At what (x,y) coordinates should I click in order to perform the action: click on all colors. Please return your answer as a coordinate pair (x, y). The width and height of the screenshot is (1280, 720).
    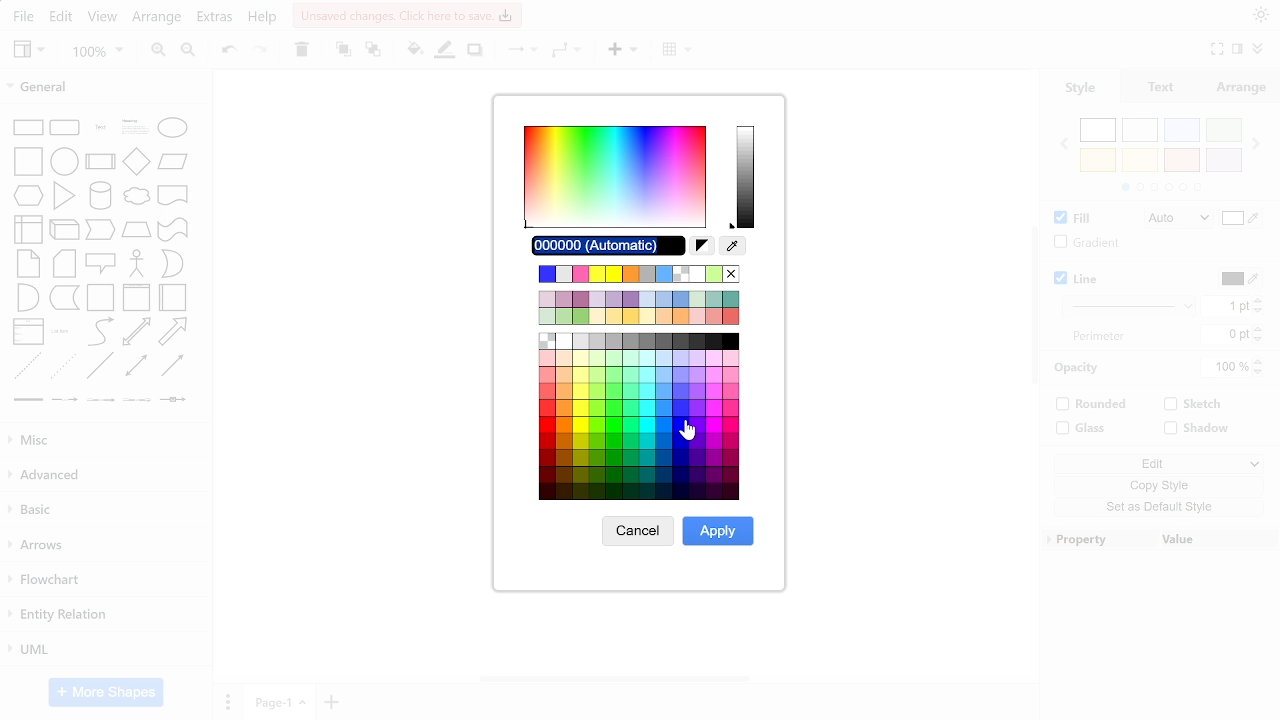
    Looking at the image, I should click on (637, 416).